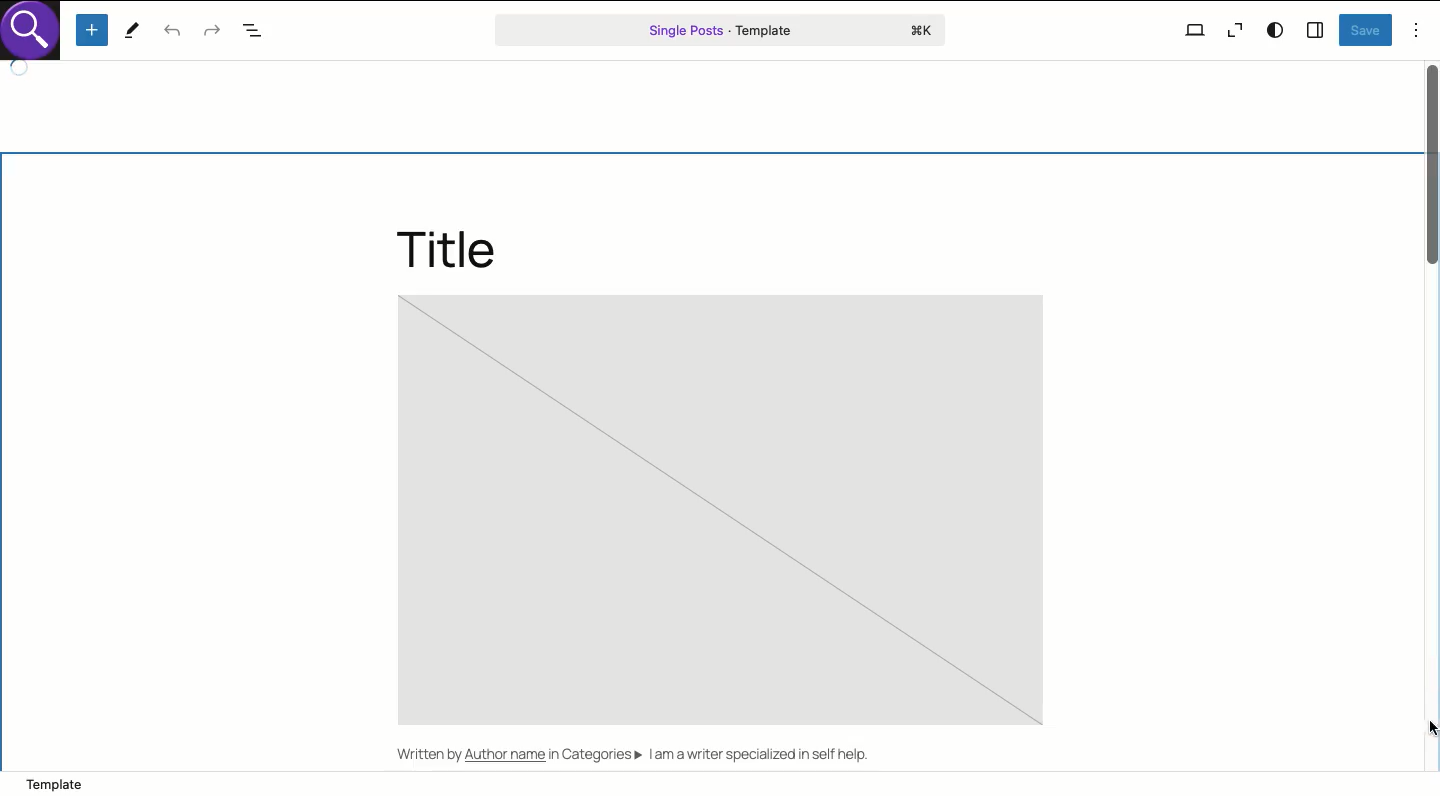 The width and height of the screenshot is (1440, 796). What do you see at coordinates (1421, 726) in the screenshot?
I see `cursor` at bounding box center [1421, 726].